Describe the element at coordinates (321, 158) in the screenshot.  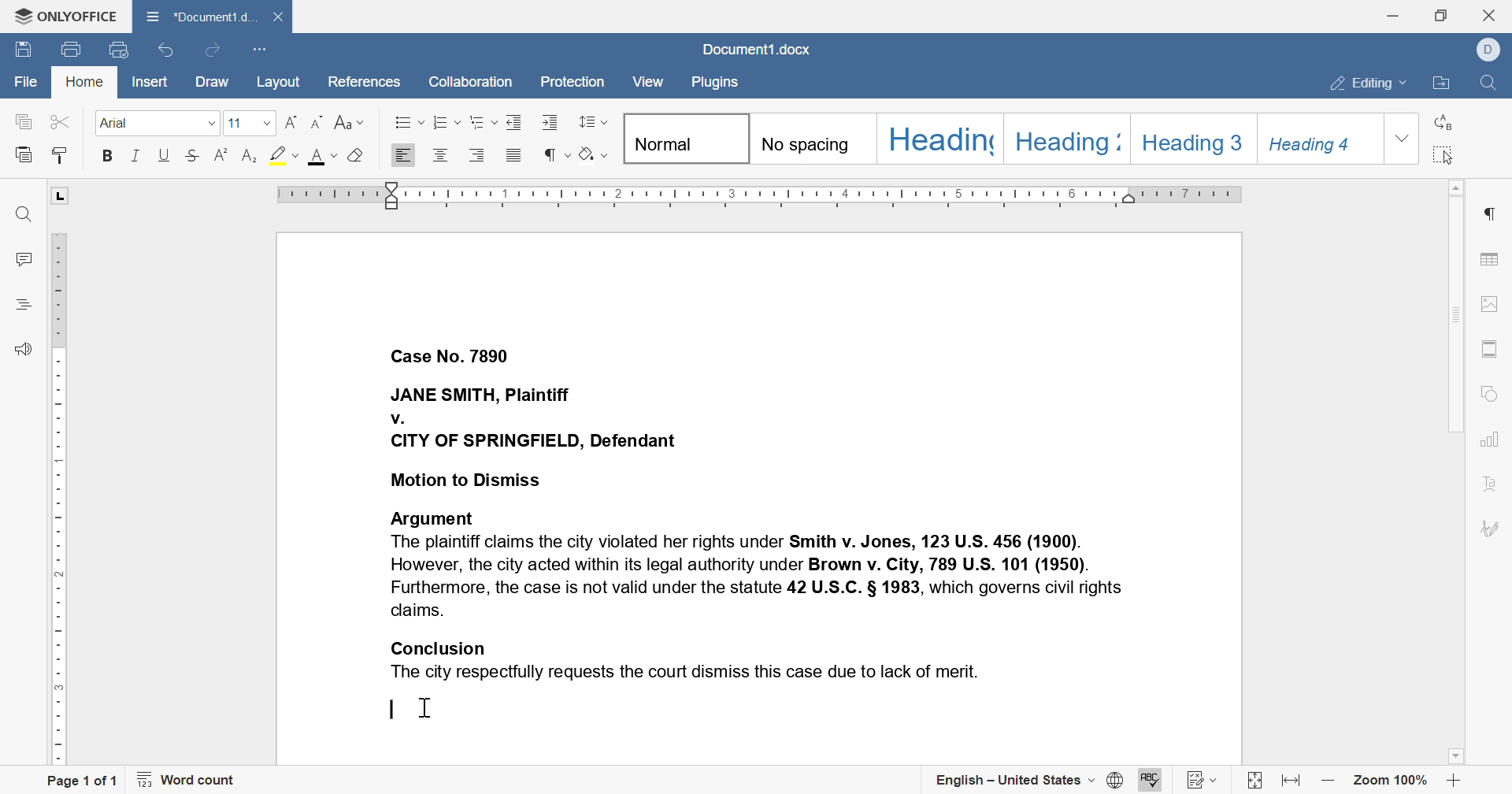
I see `font` at that location.